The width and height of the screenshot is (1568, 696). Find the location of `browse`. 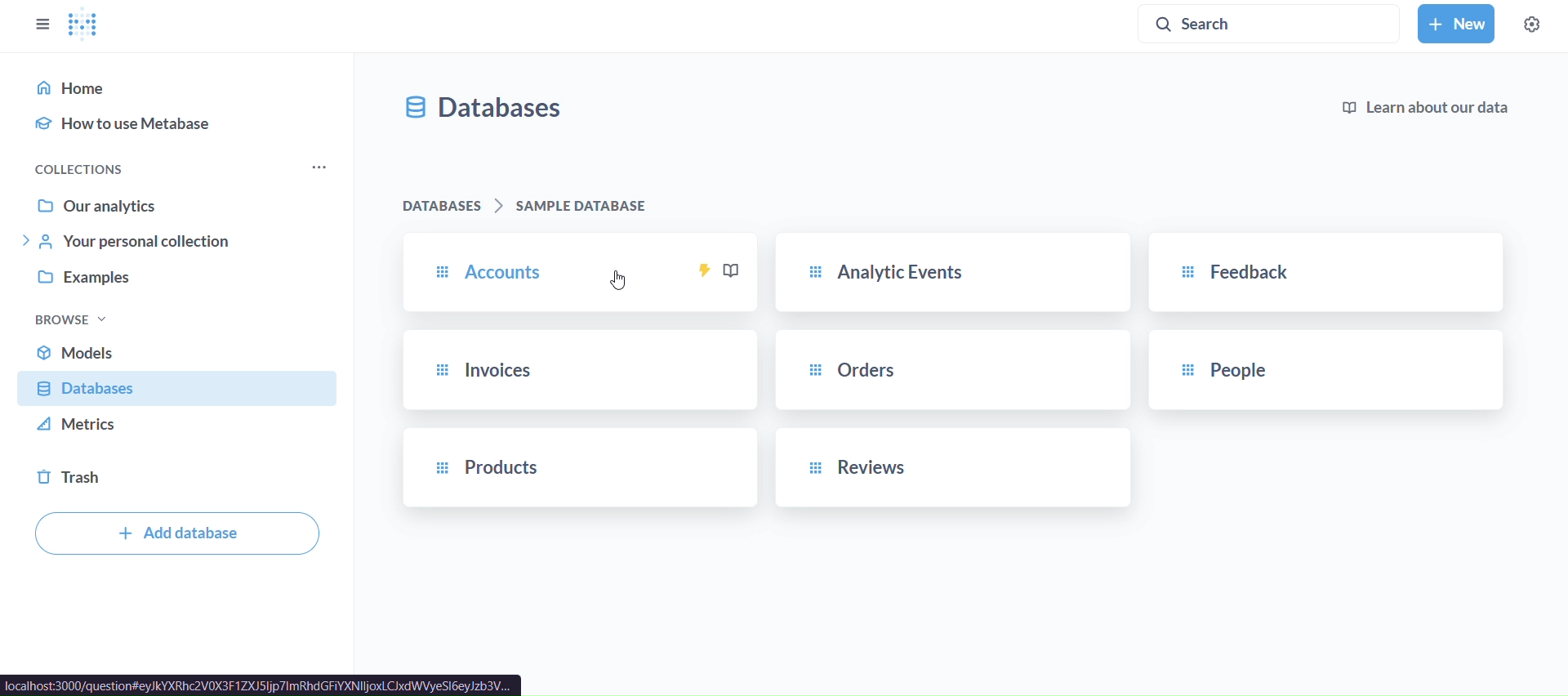

browse is located at coordinates (69, 319).